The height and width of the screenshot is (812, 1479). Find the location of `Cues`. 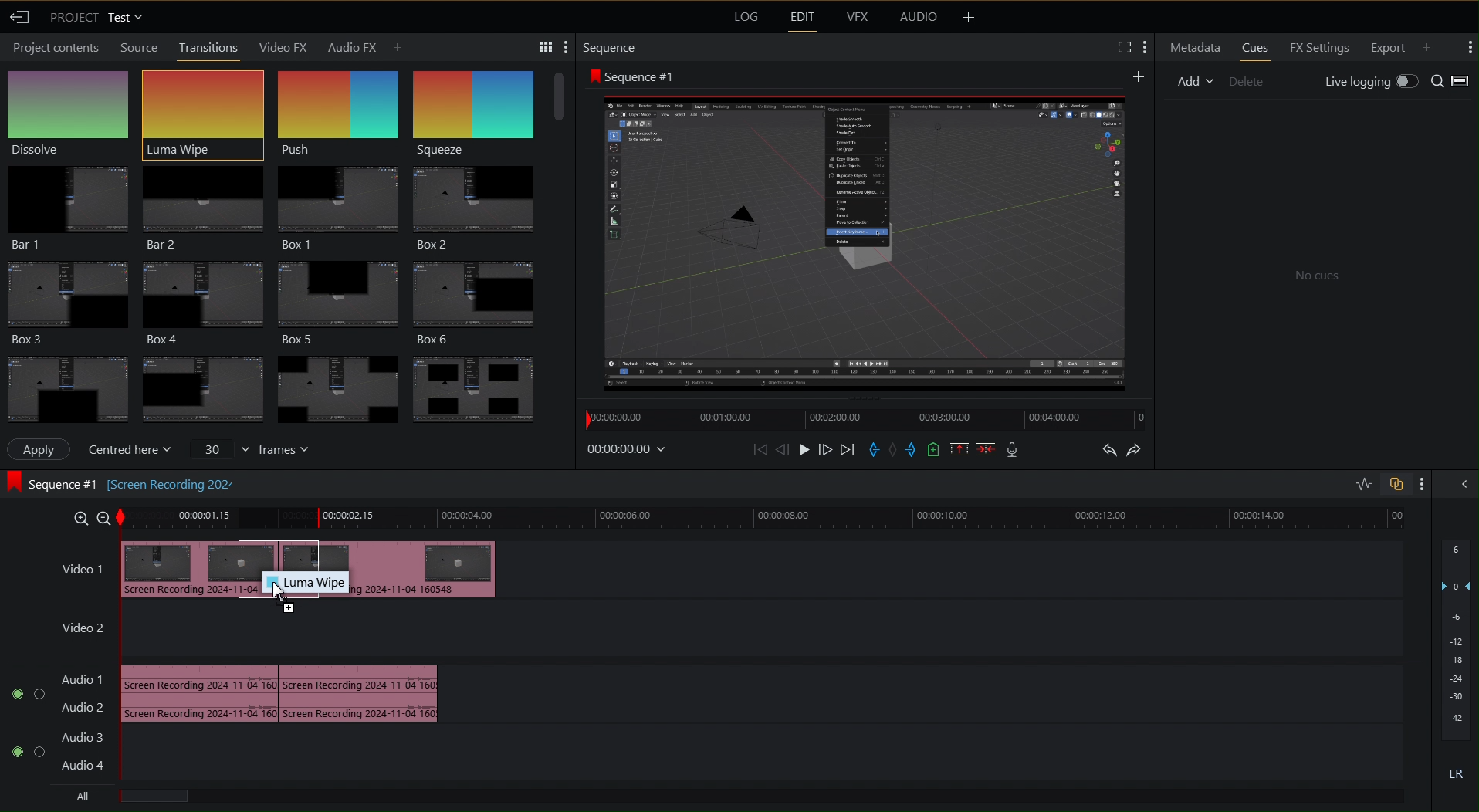

Cues is located at coordinates (1255, 48).